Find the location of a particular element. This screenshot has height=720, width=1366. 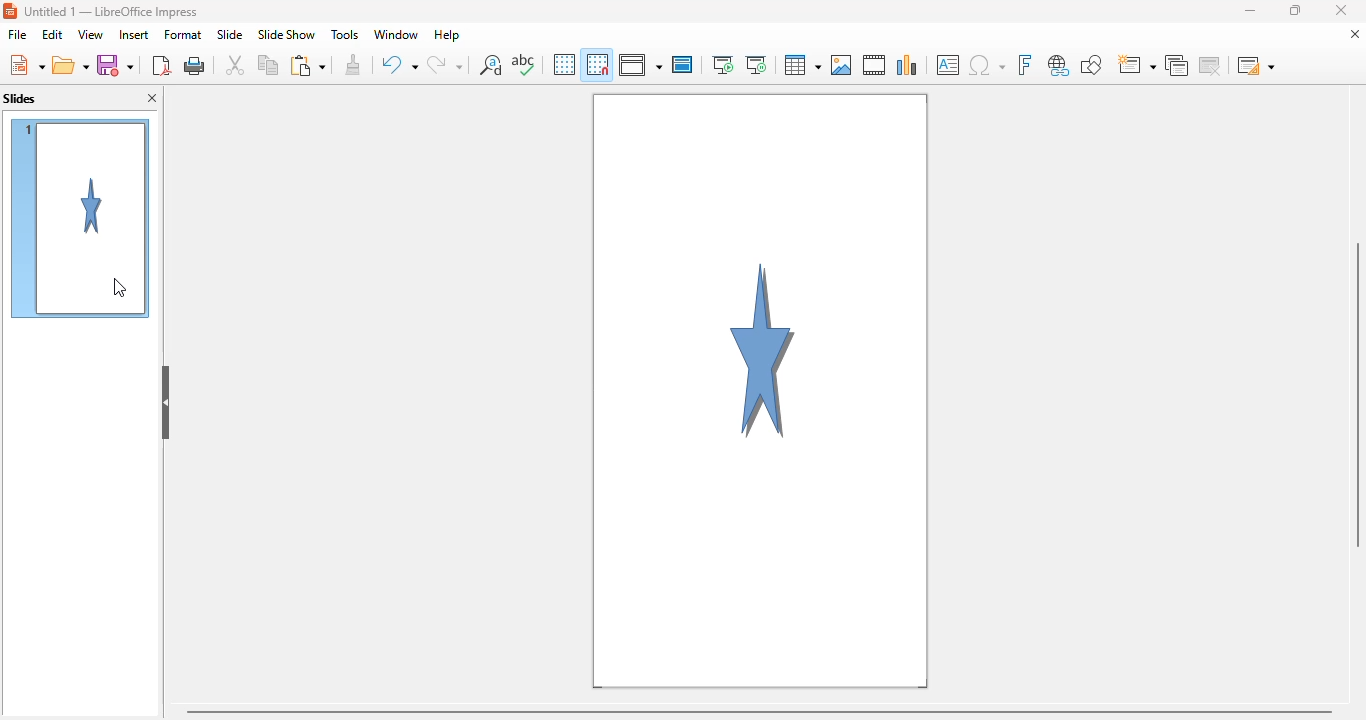

close pane is located at coordinates (152, 98).